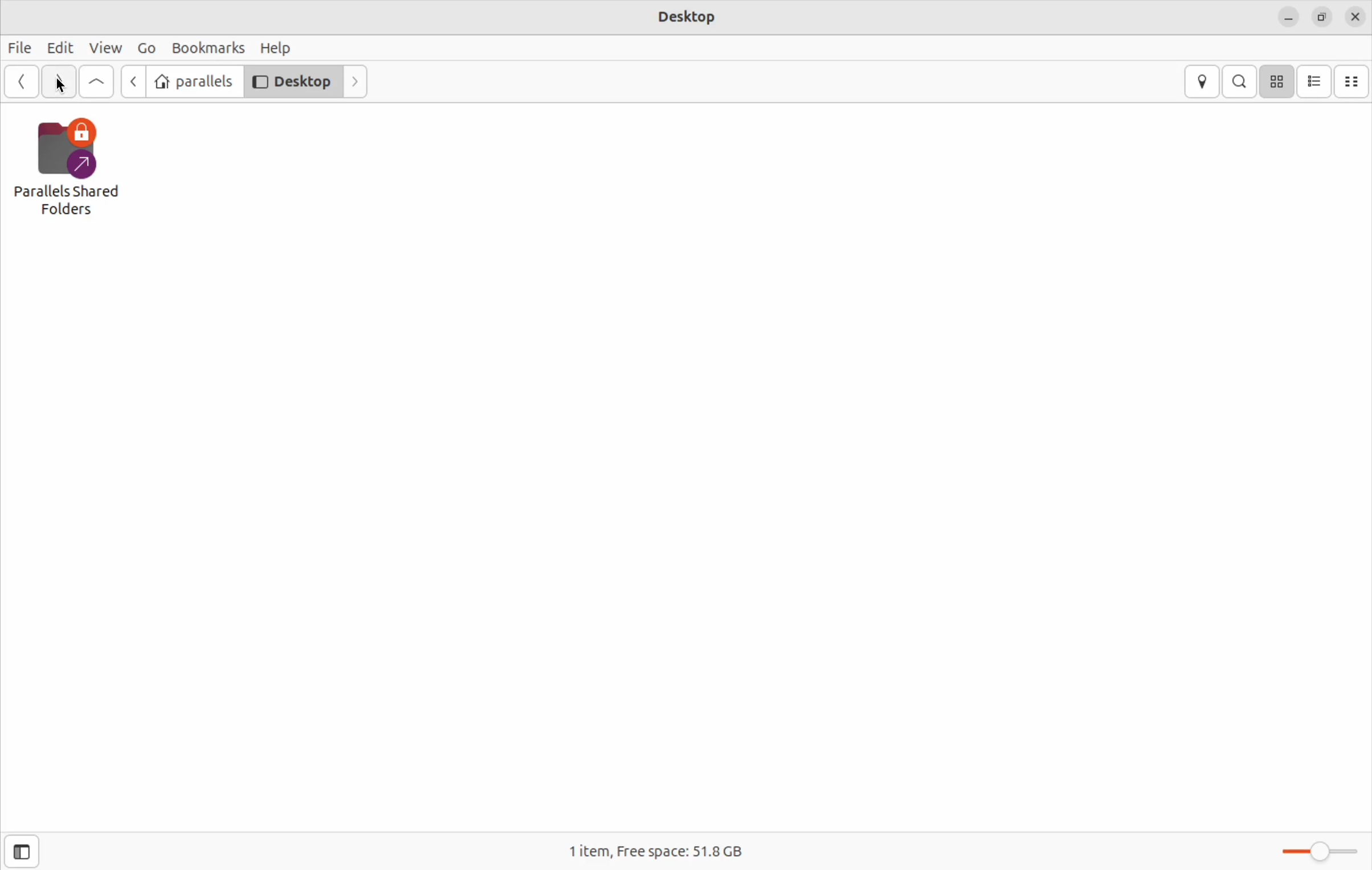  What do you see at coordinates (79, 162) in the screenshot?
I see `parallel spaced folders` at bounding box center [79, 162].